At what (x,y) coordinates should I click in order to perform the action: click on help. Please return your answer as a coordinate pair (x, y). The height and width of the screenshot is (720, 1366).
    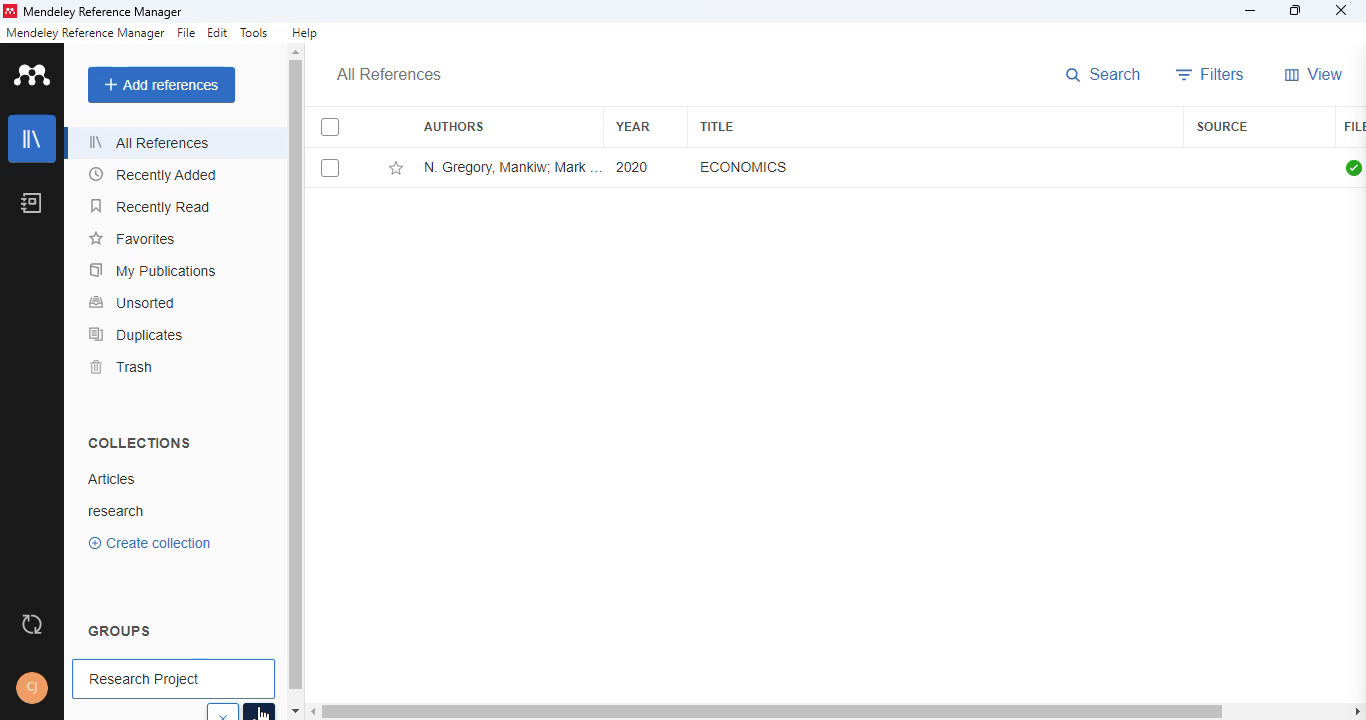
    Looking at the image, I should click on (305, 33).